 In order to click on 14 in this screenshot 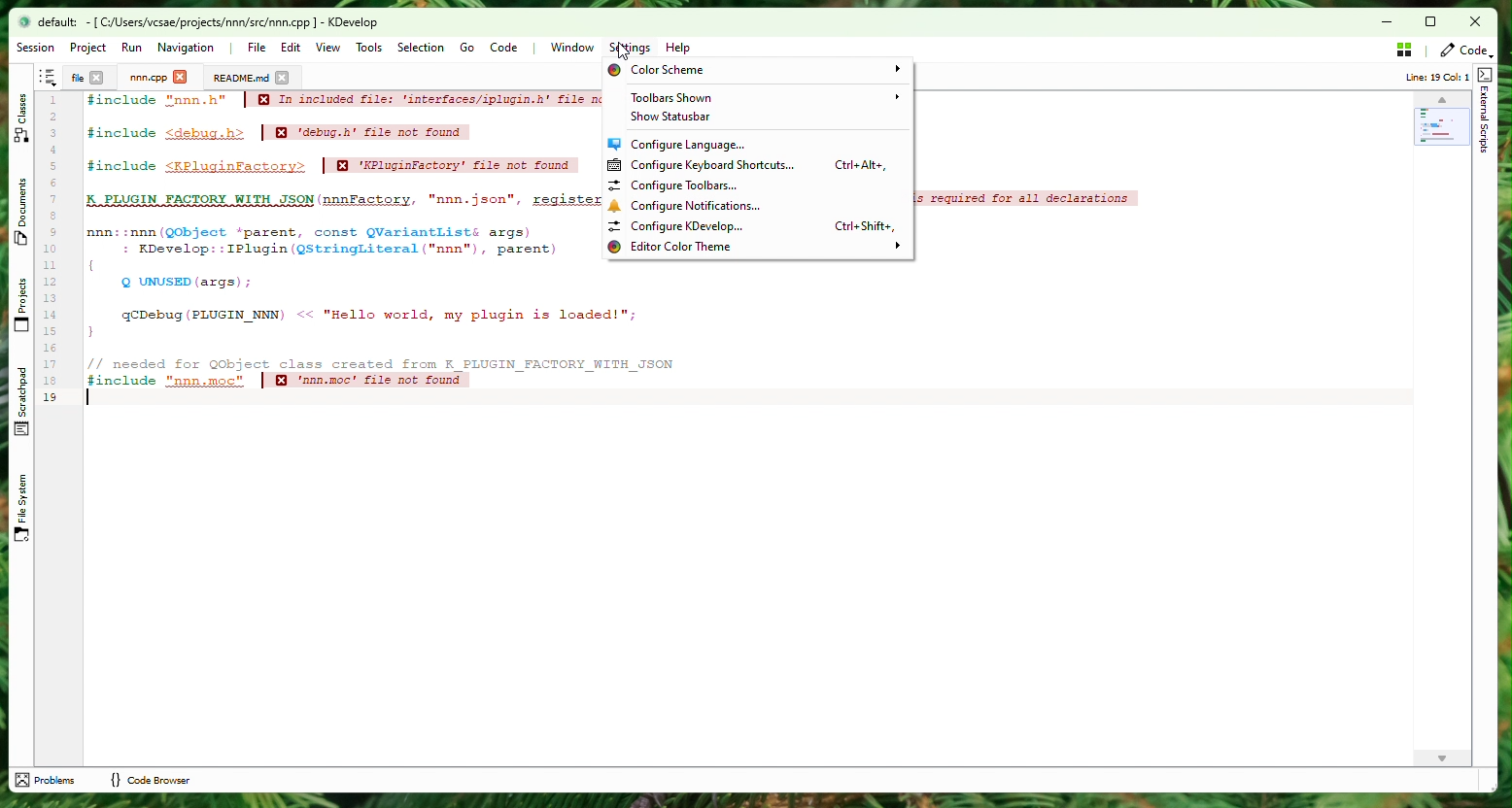, I will do `click(51, 315)`.